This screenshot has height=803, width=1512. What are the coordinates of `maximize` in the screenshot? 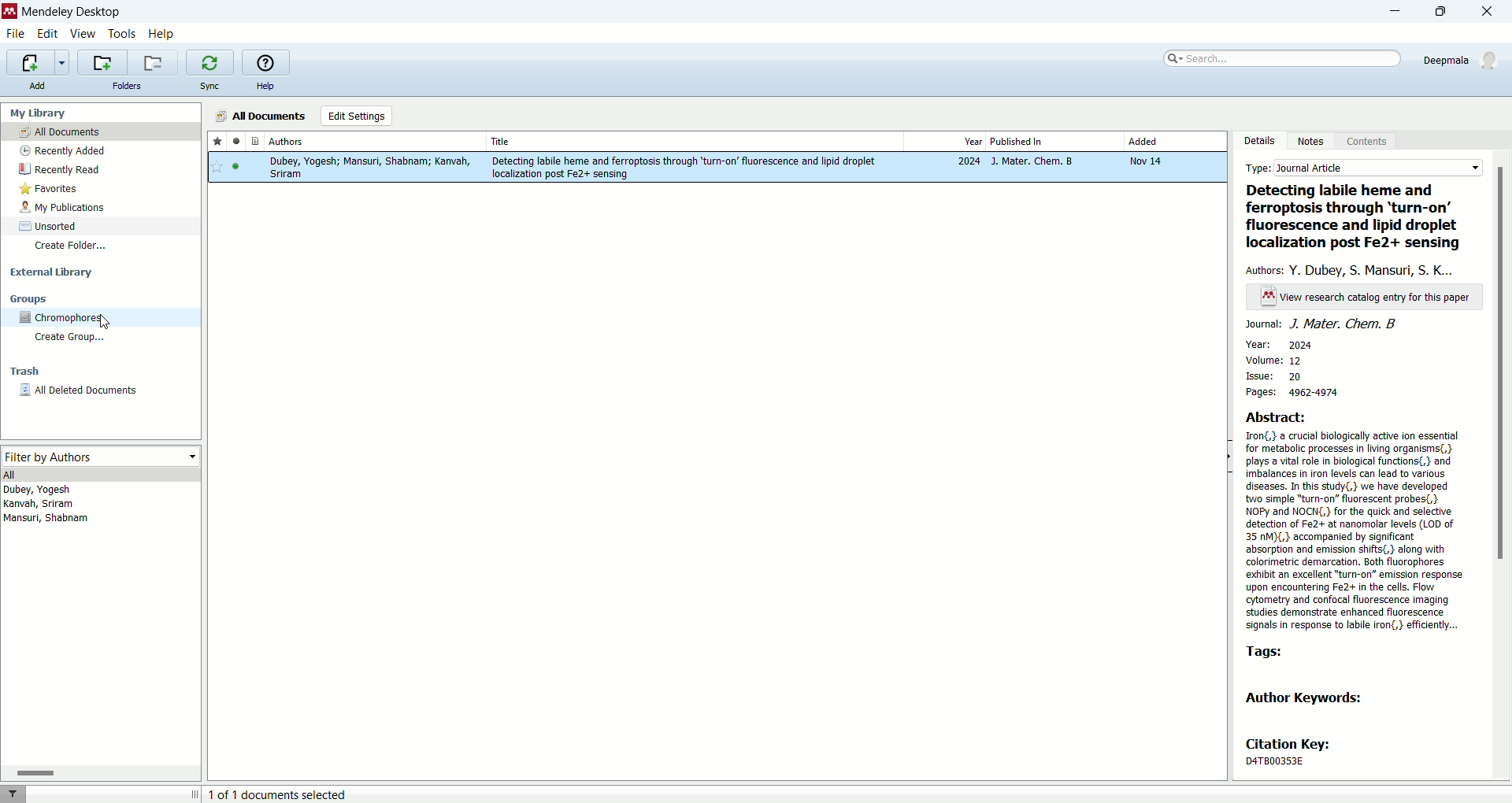 It's located at (1442, 11).